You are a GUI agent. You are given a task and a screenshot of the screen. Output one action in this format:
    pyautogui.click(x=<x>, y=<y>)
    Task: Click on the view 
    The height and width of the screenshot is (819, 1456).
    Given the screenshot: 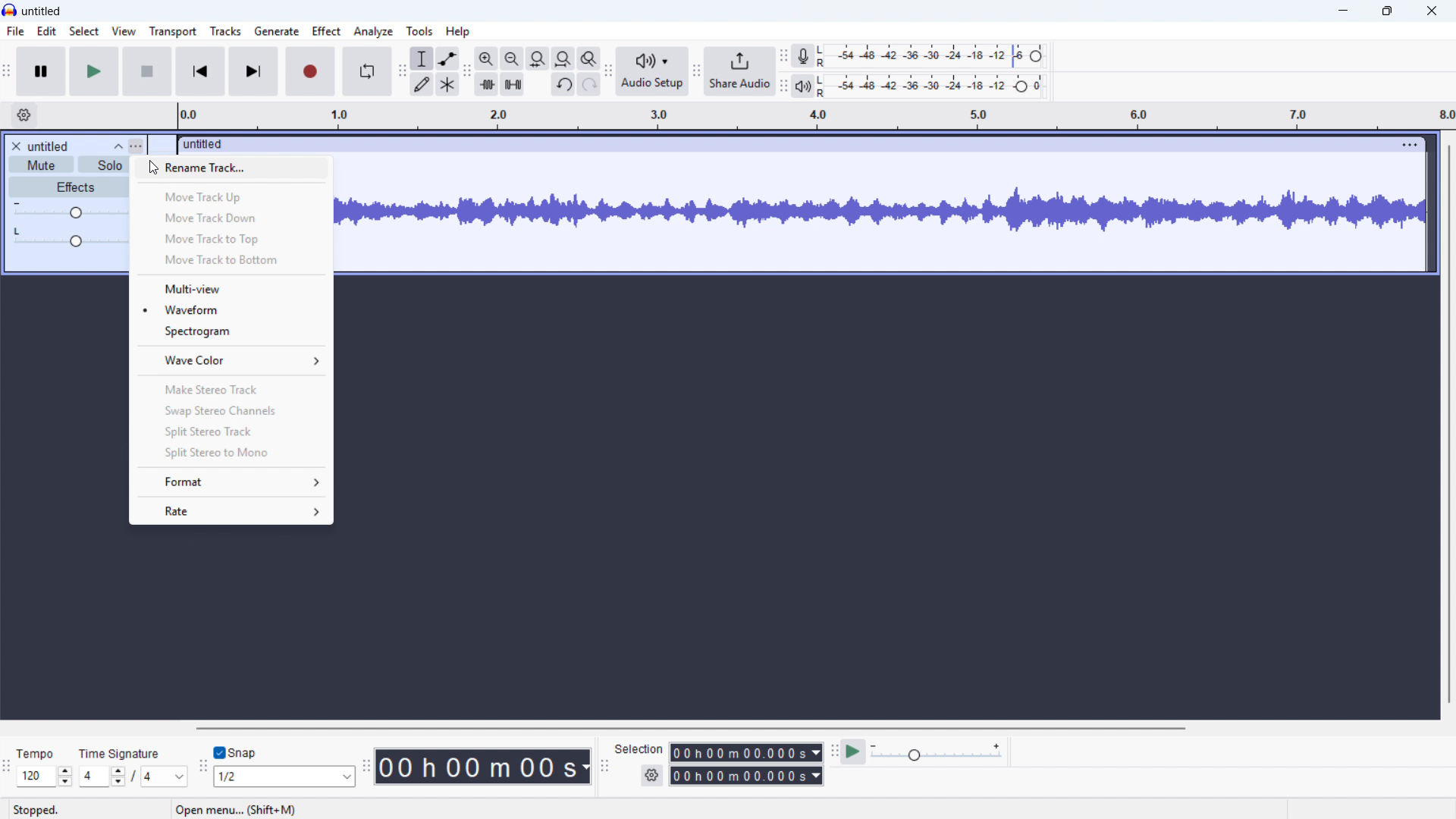 What is the action you would take?
    pyautogui.click(x=124, y=31)
    